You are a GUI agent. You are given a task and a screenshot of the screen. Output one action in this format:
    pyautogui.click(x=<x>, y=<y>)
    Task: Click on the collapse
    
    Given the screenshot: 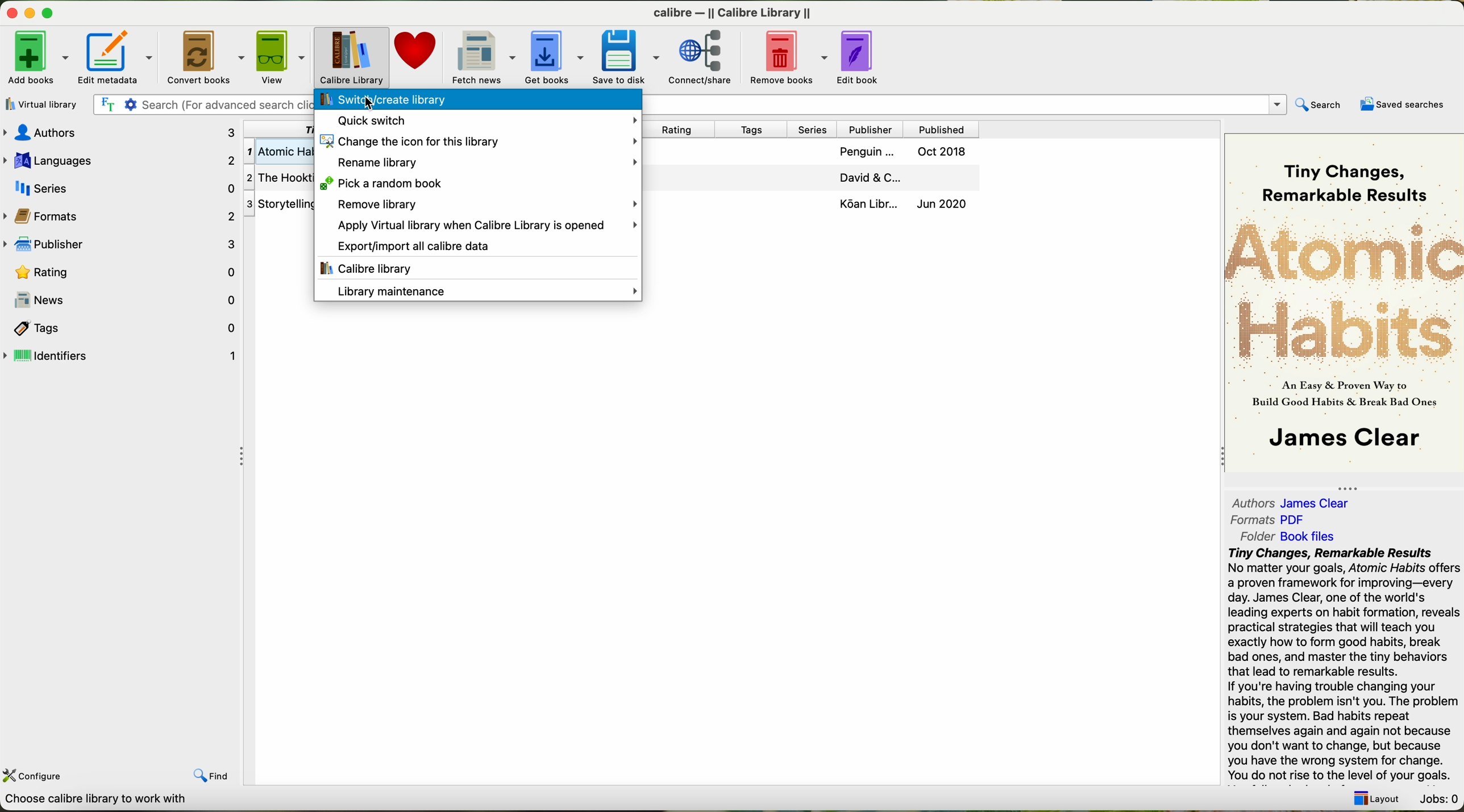 What is the action you would take?
    pyautogui.click(x=1354, y=485)
    